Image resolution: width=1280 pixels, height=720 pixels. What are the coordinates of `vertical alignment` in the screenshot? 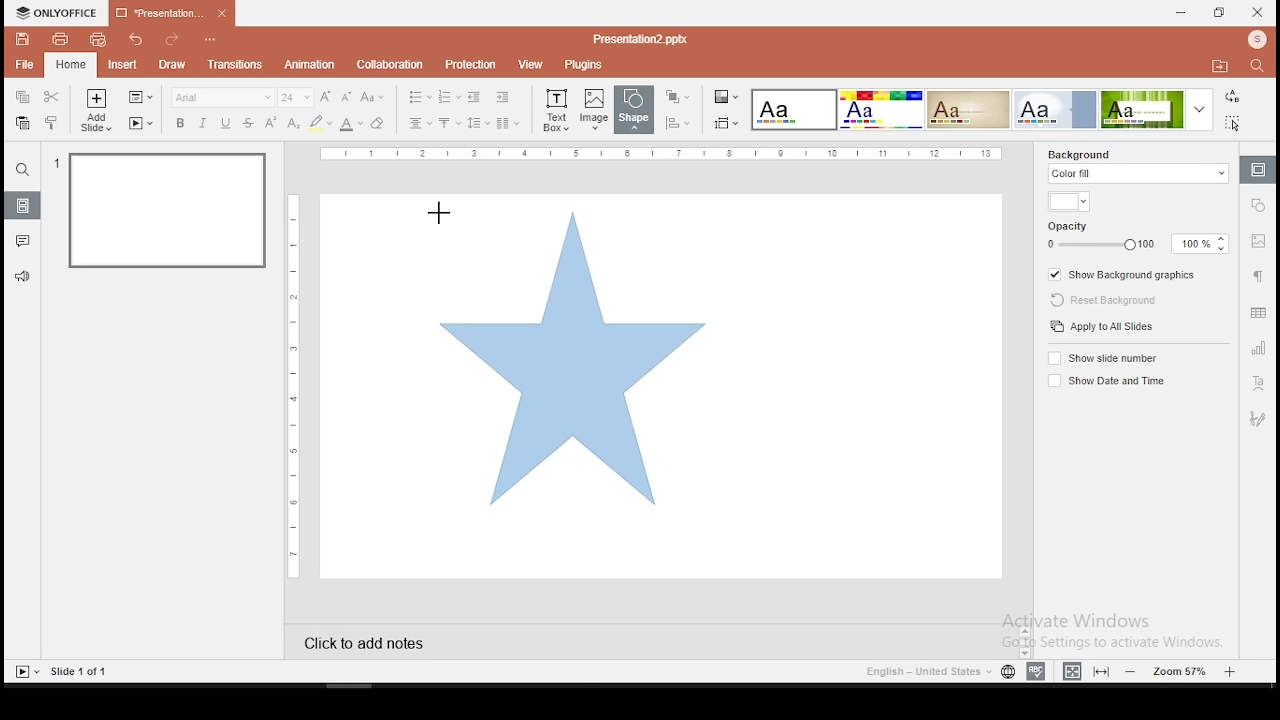 It's located at (448, 124).